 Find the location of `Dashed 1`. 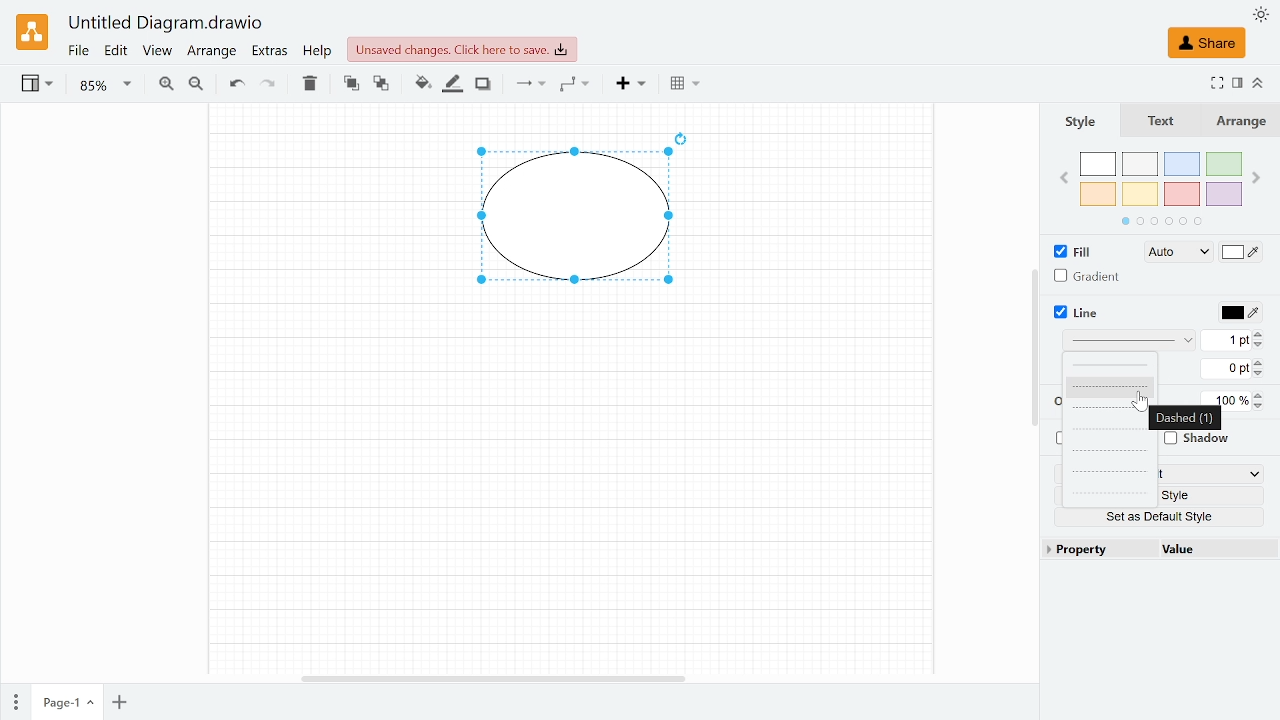

Dashed 1 is located at coordinates (1112, 386).